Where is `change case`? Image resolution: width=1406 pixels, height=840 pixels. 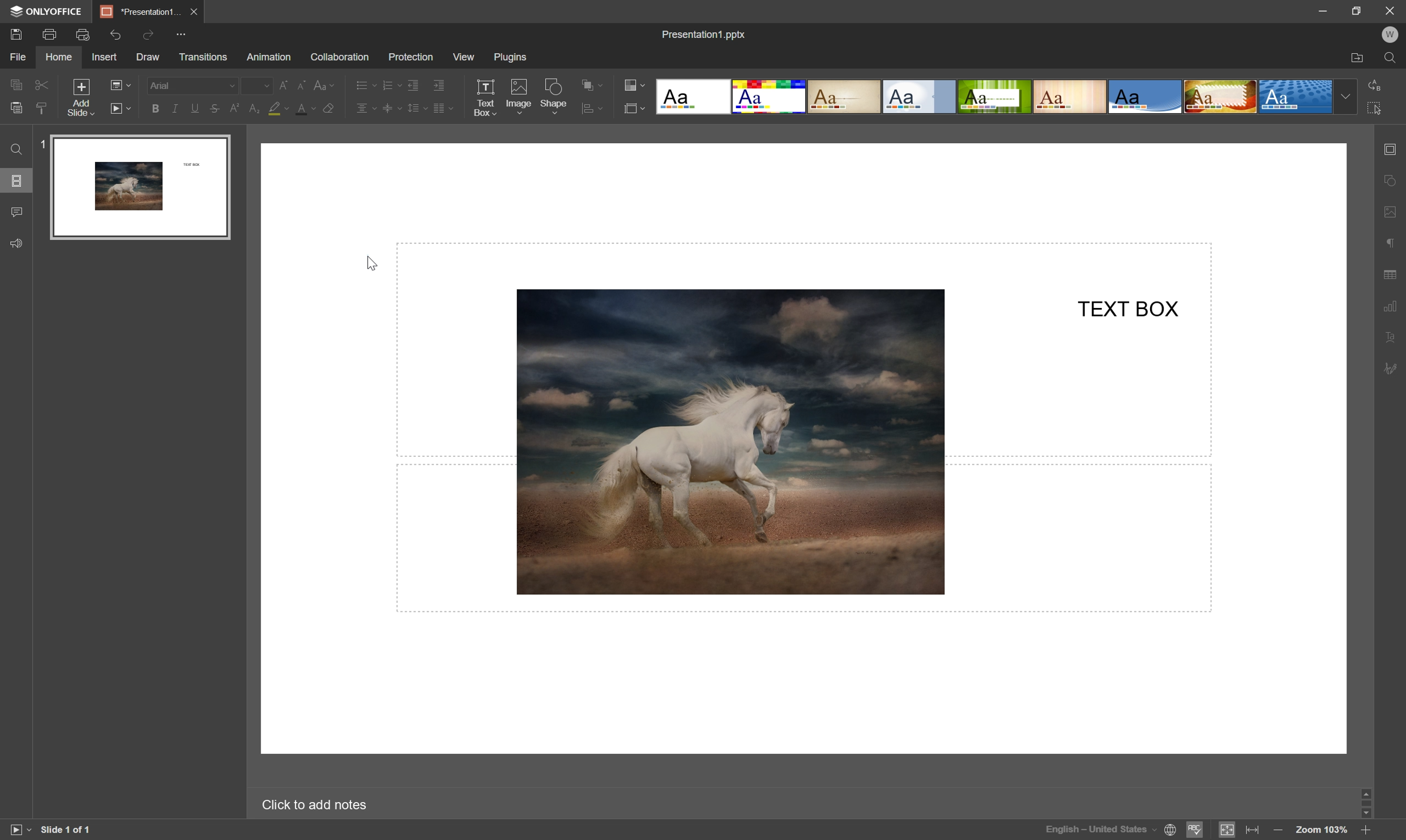 change case is located at coordinates (326, 84).